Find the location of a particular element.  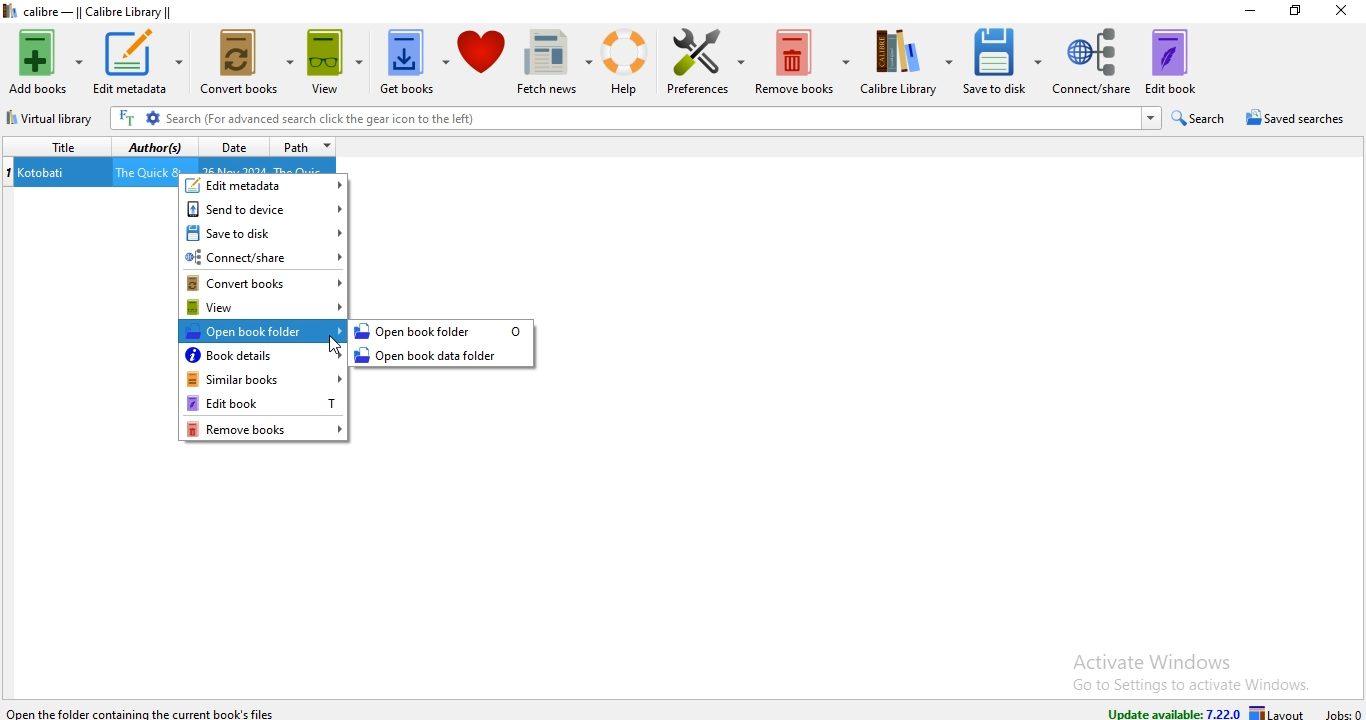

add books is located at coordinates (45, 62).